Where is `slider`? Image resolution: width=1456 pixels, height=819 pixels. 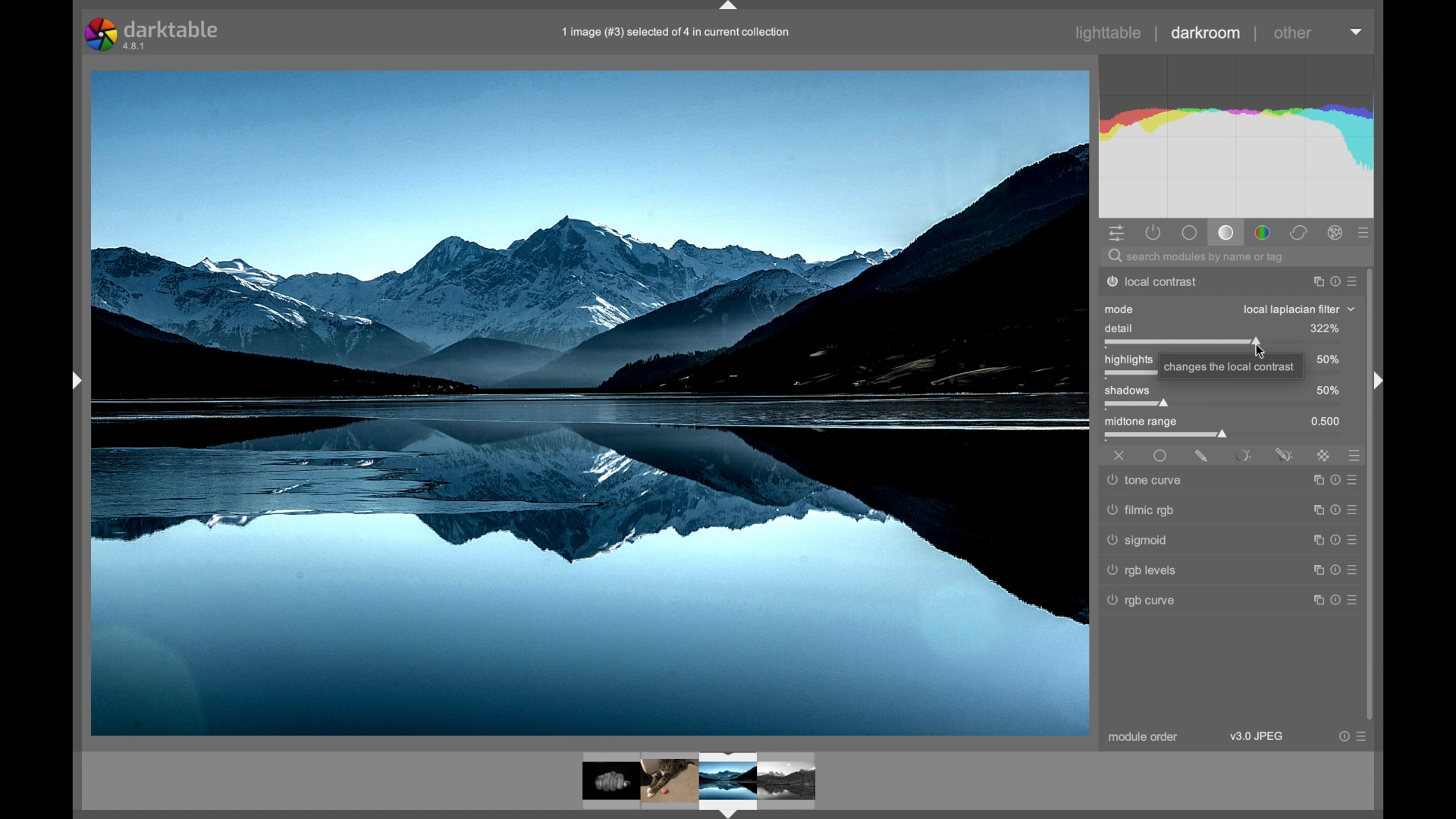
slider is located at coordinates (1166, 436).